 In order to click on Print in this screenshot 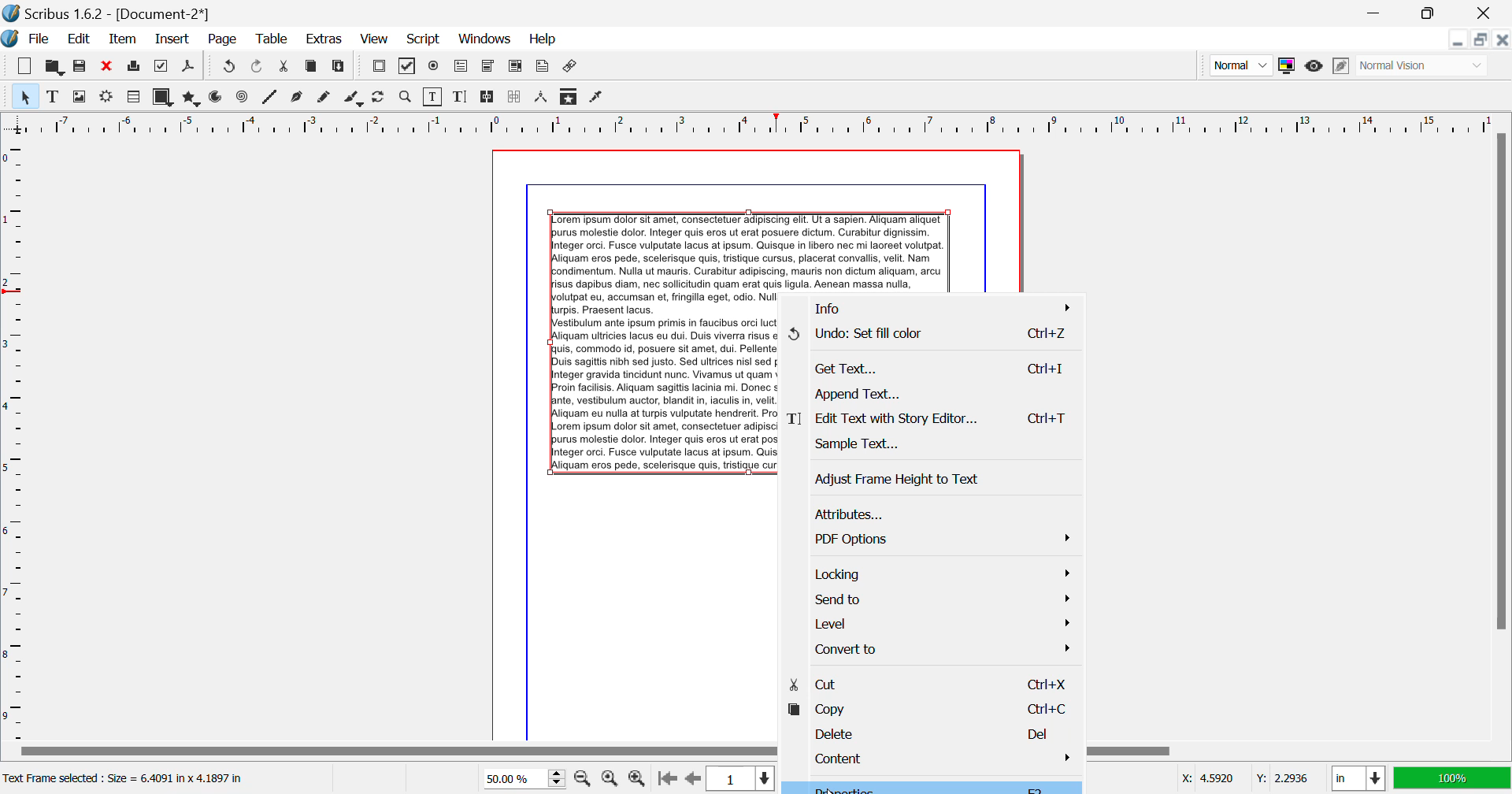, I will do `click(135, 66)`.